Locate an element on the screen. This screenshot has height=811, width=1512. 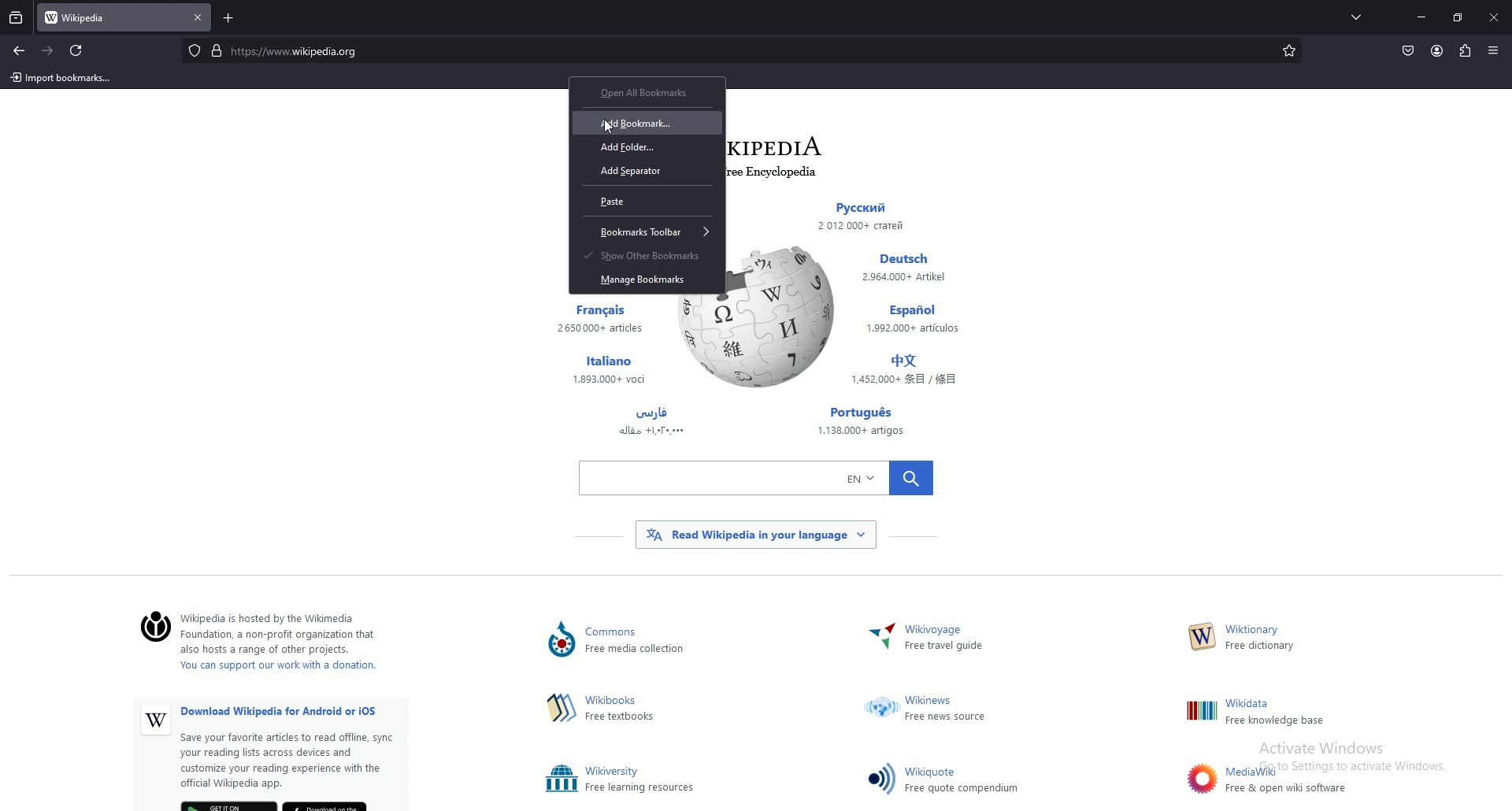
 is located at coordinates (561, 641).